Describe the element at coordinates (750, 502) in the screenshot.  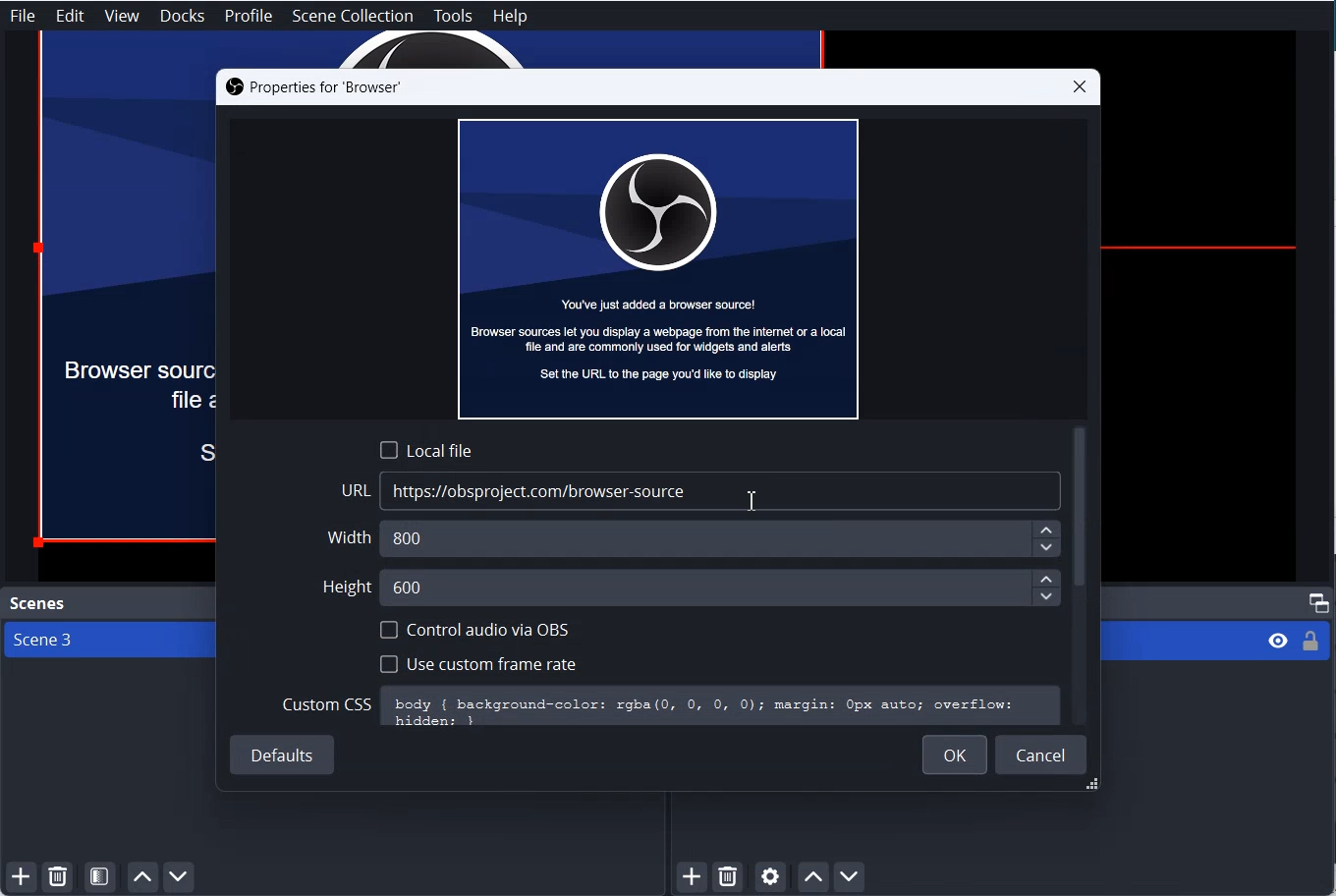
I see `insertion cursor` at that location.